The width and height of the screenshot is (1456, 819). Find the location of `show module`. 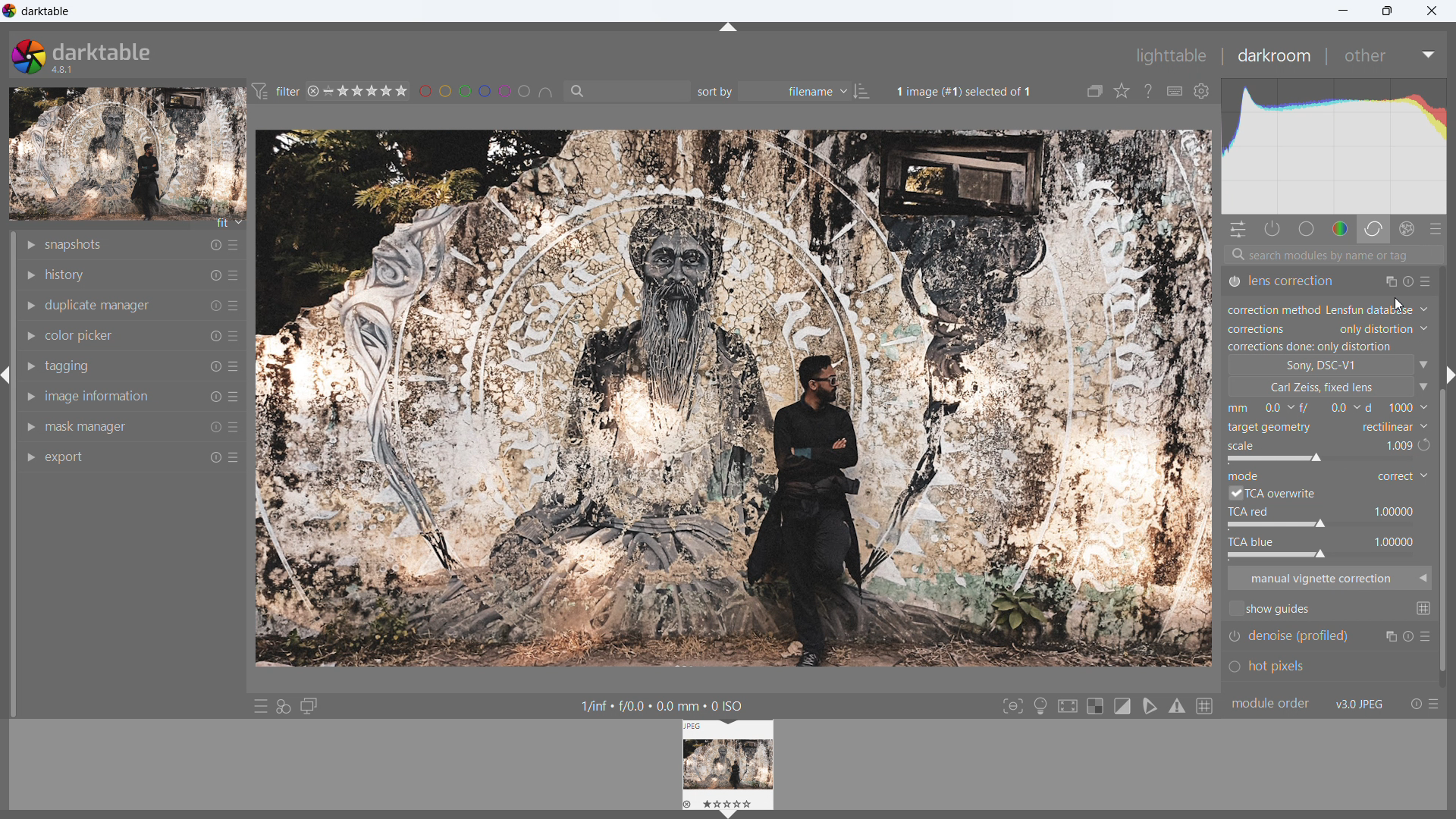

show module is located at coordinates (33, 306).